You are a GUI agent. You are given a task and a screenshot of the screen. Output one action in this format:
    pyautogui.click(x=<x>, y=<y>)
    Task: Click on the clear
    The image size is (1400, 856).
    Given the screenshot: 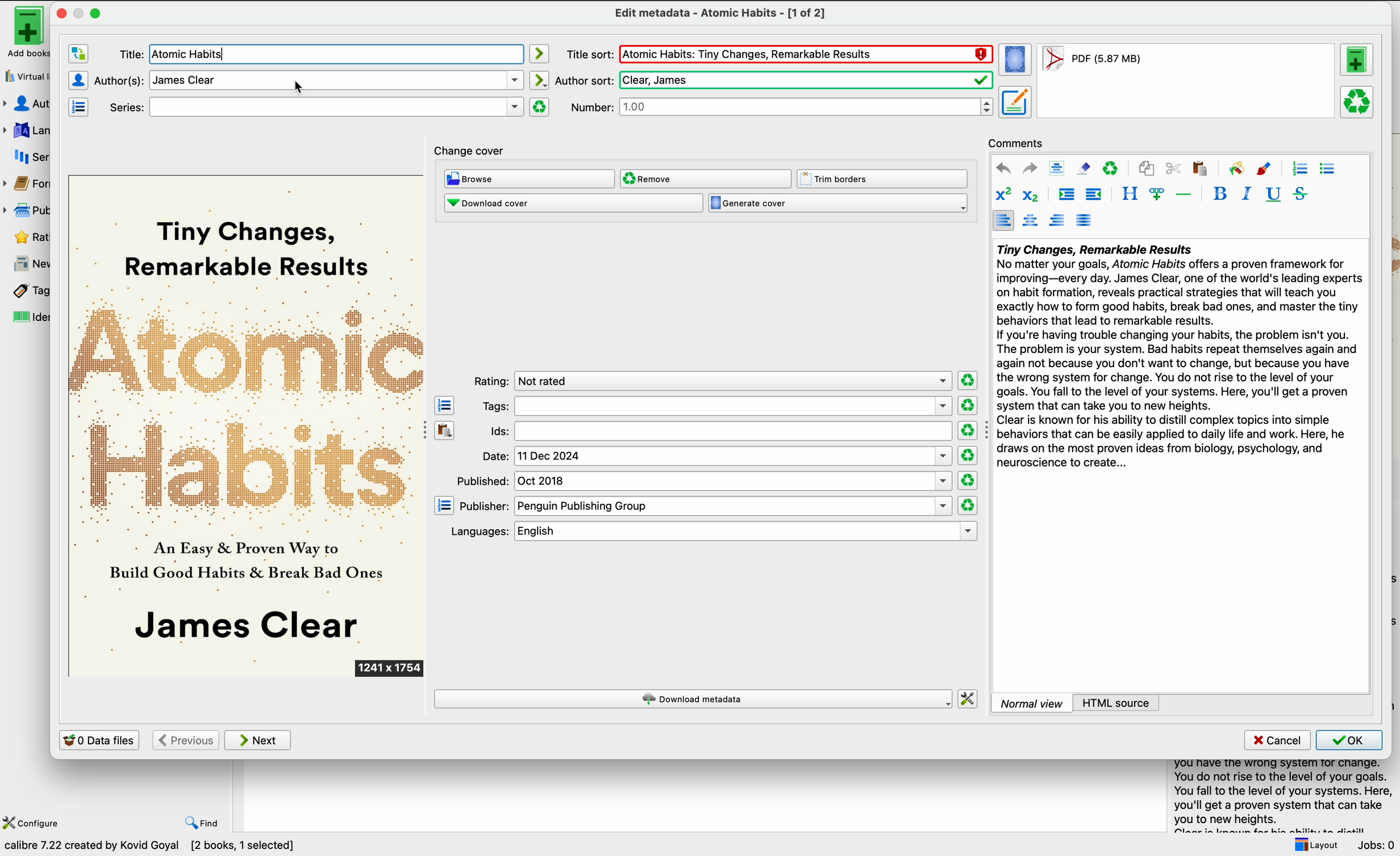 What is the action you would take?
    pyautogui.click(x=1111, y=168)
    